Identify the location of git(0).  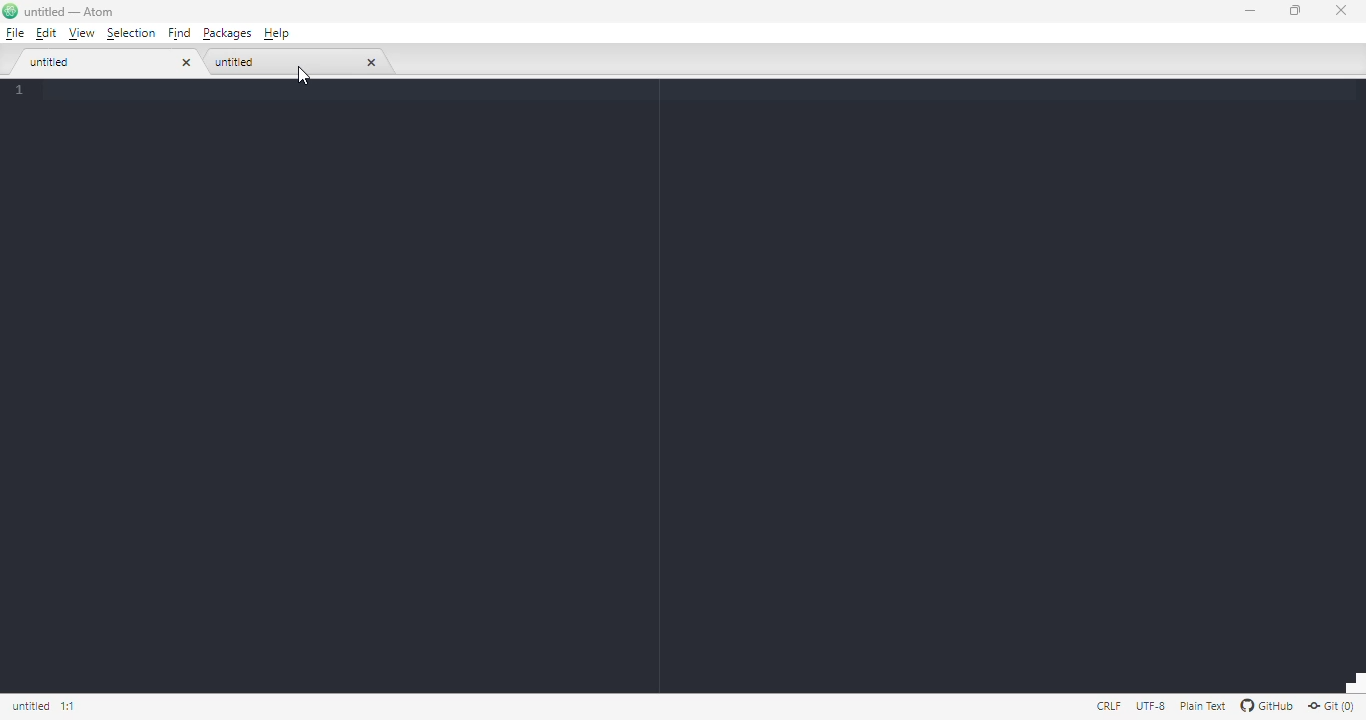
(1332, 706).